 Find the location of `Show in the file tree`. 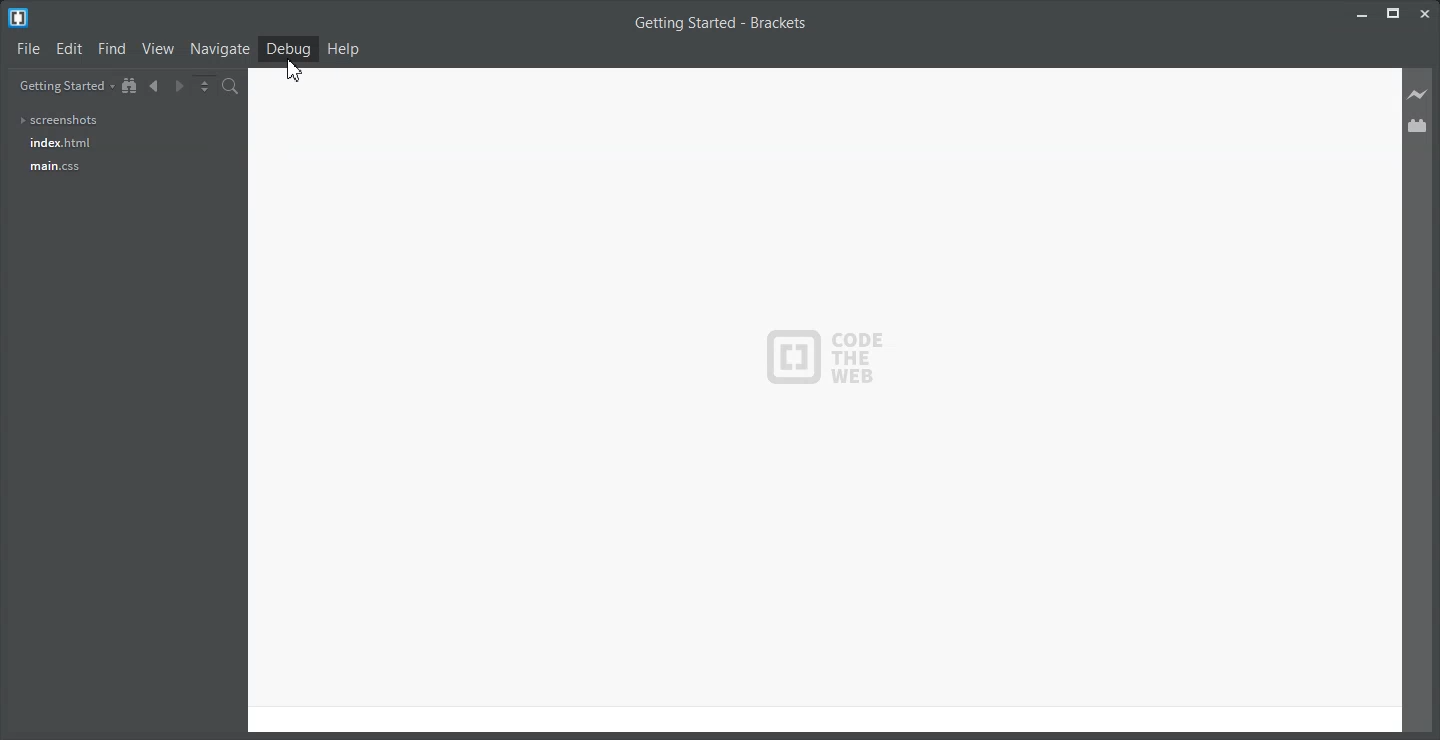

Show in the file tree is located at coordinates (131, 86).